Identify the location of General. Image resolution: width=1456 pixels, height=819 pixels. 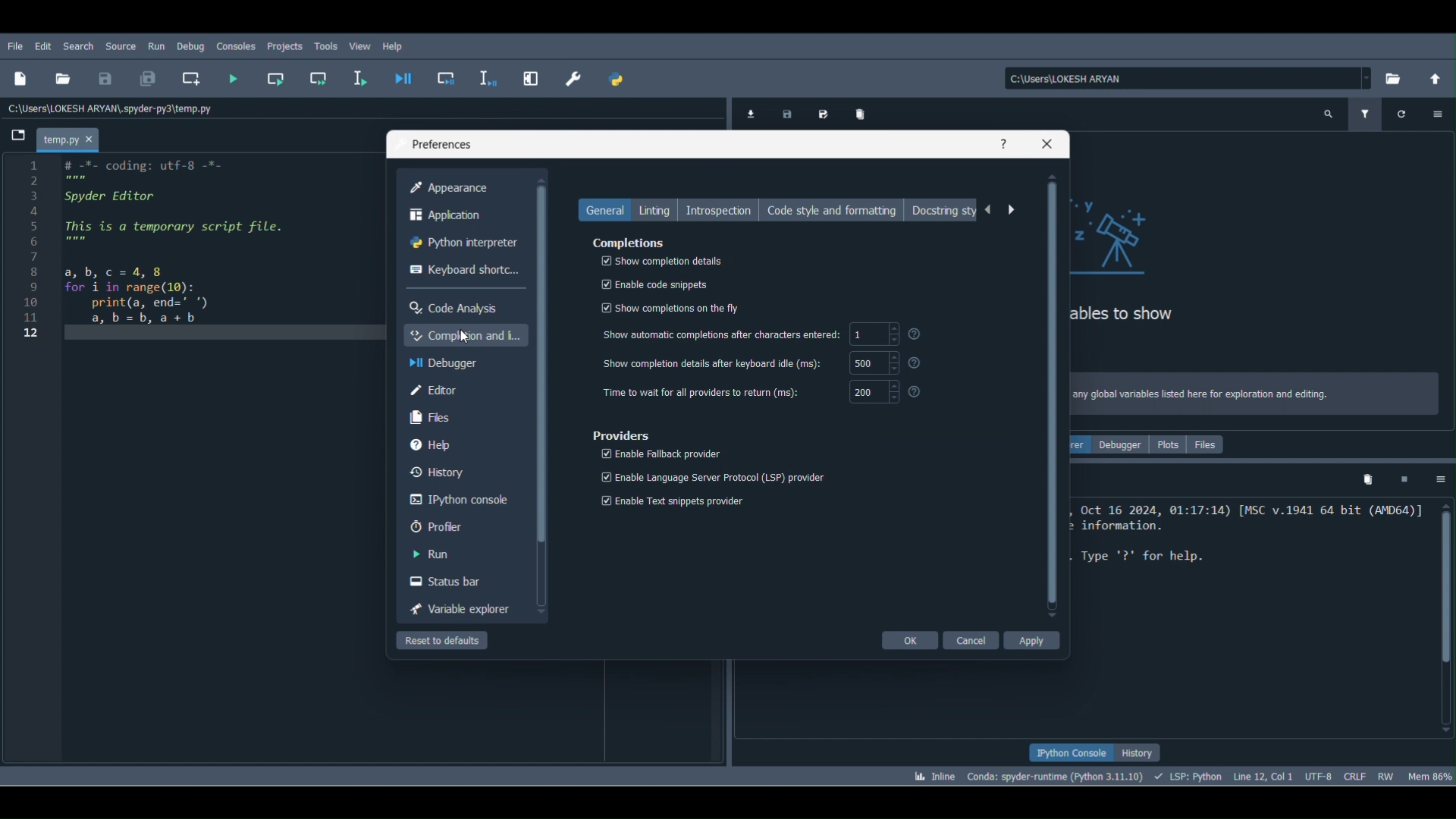
(605, 211).